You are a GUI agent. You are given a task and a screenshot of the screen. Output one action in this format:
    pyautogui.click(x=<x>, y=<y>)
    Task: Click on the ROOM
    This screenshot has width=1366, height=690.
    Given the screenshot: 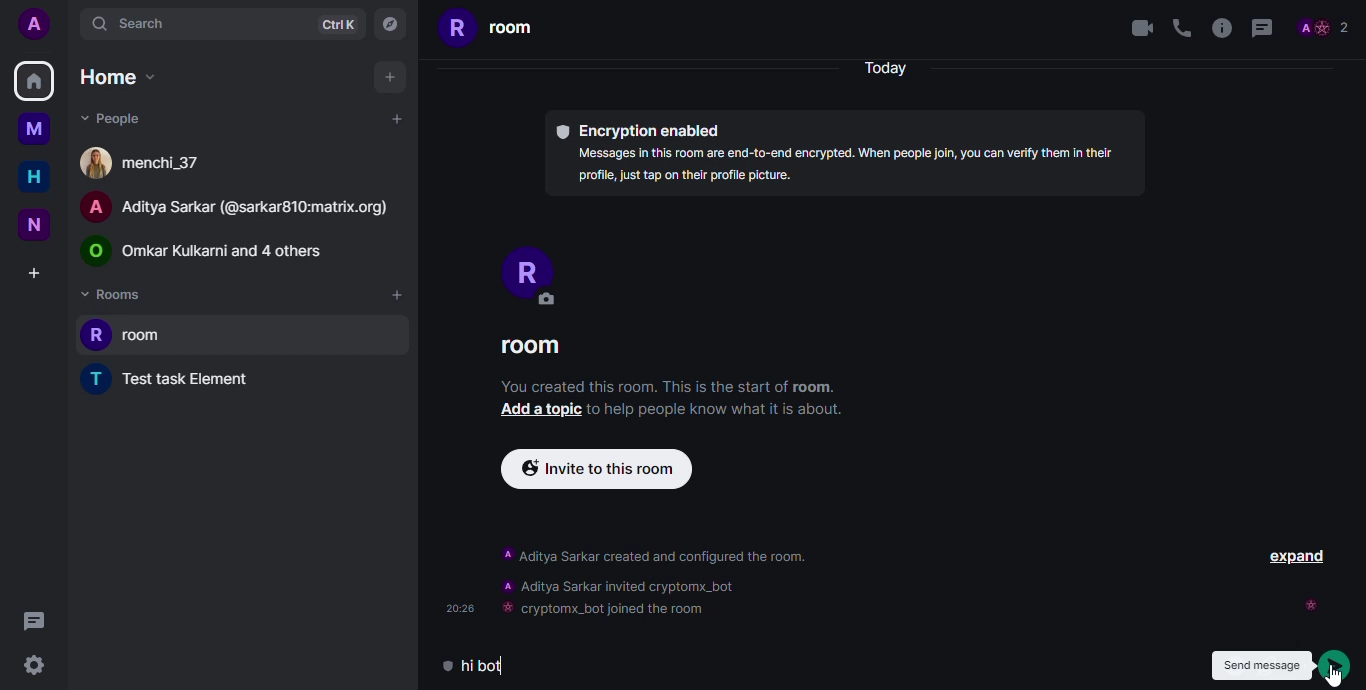 What is the action you would take?
    pyautogui.click(x=542, y=349)
    